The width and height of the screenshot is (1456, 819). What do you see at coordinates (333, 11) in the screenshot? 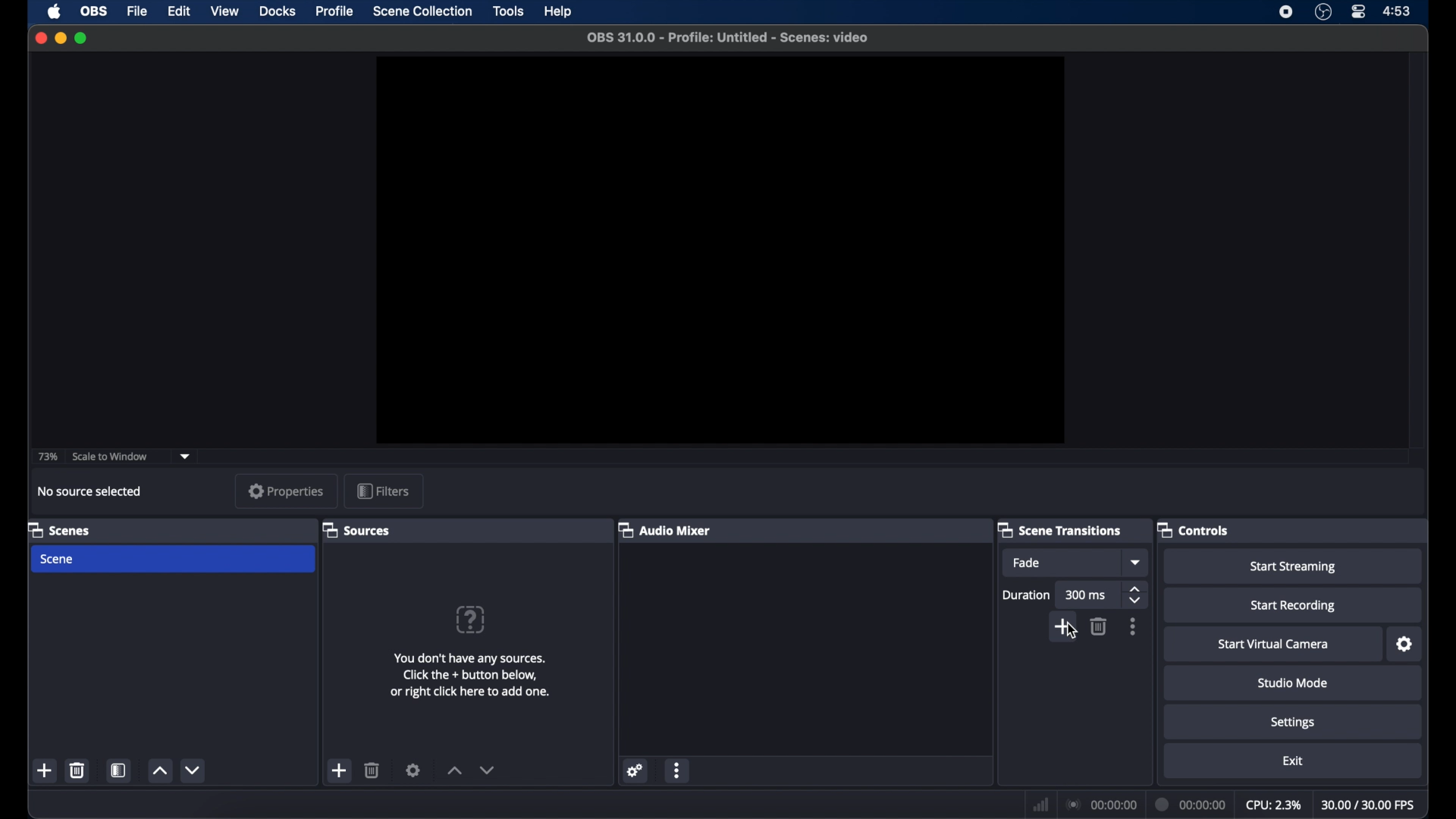
I see `profile` at bounding box center [333, 11].